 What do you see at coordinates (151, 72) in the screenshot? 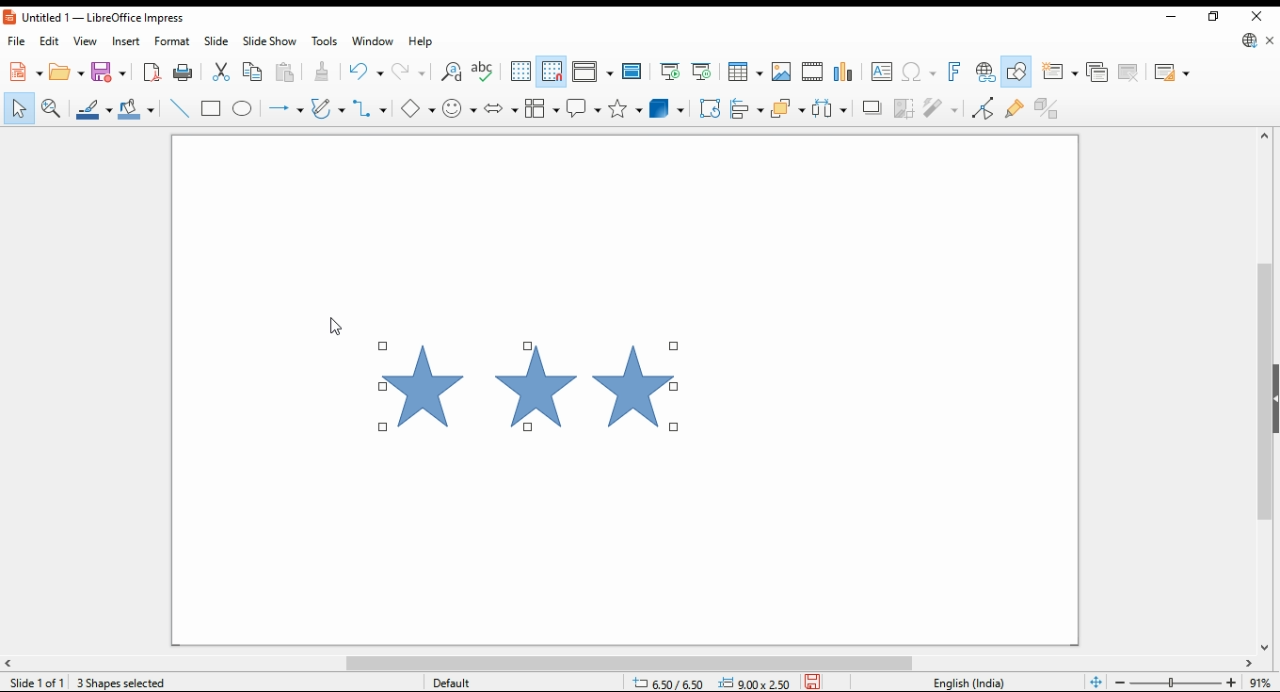
I see `export directly as pdf` at bounding box center [151, 72].